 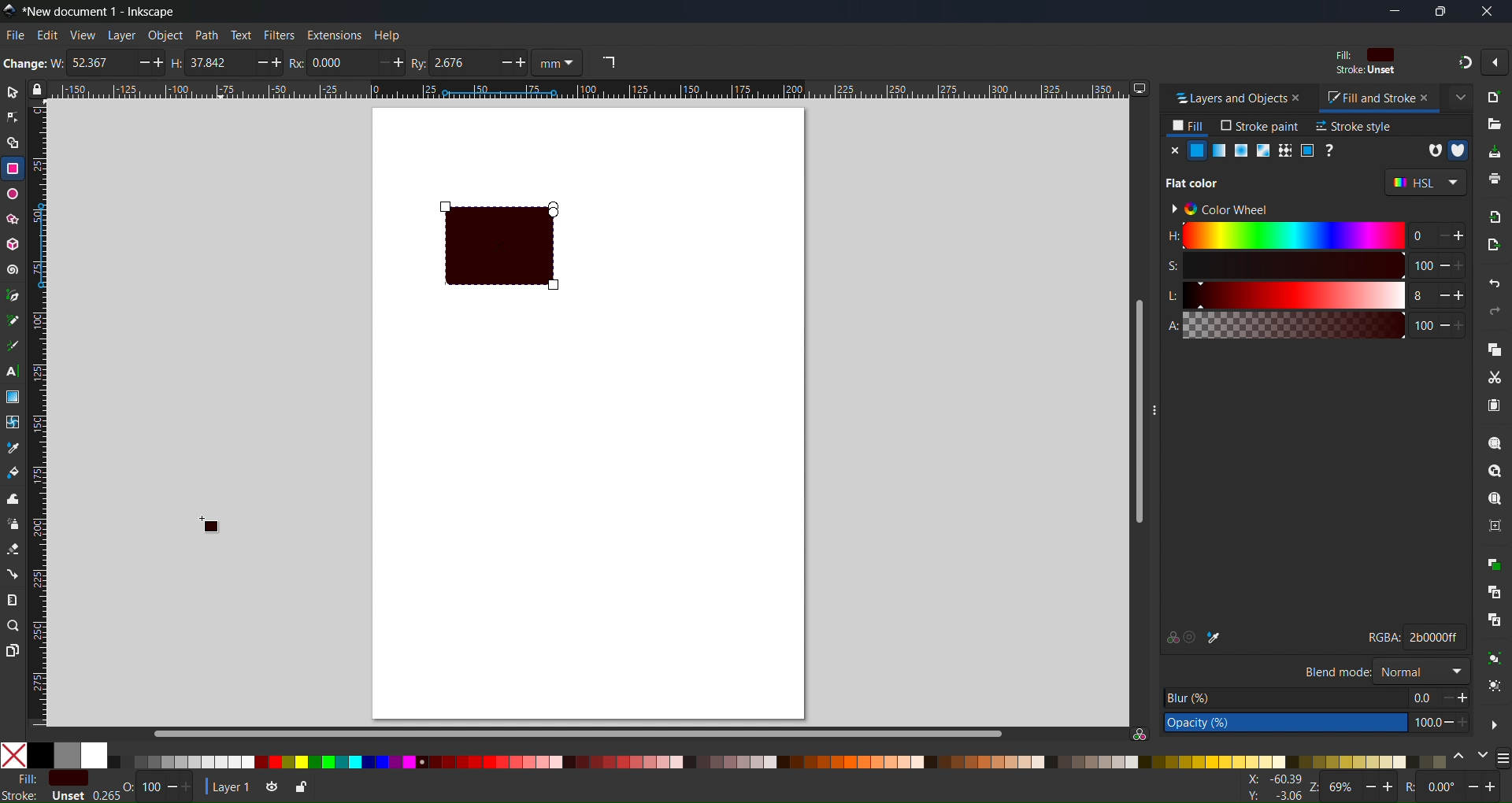 What do you see at coordinates (380, 62) in the screenshot?
I see `Minimize the radius` at bounding box center [380, 62].